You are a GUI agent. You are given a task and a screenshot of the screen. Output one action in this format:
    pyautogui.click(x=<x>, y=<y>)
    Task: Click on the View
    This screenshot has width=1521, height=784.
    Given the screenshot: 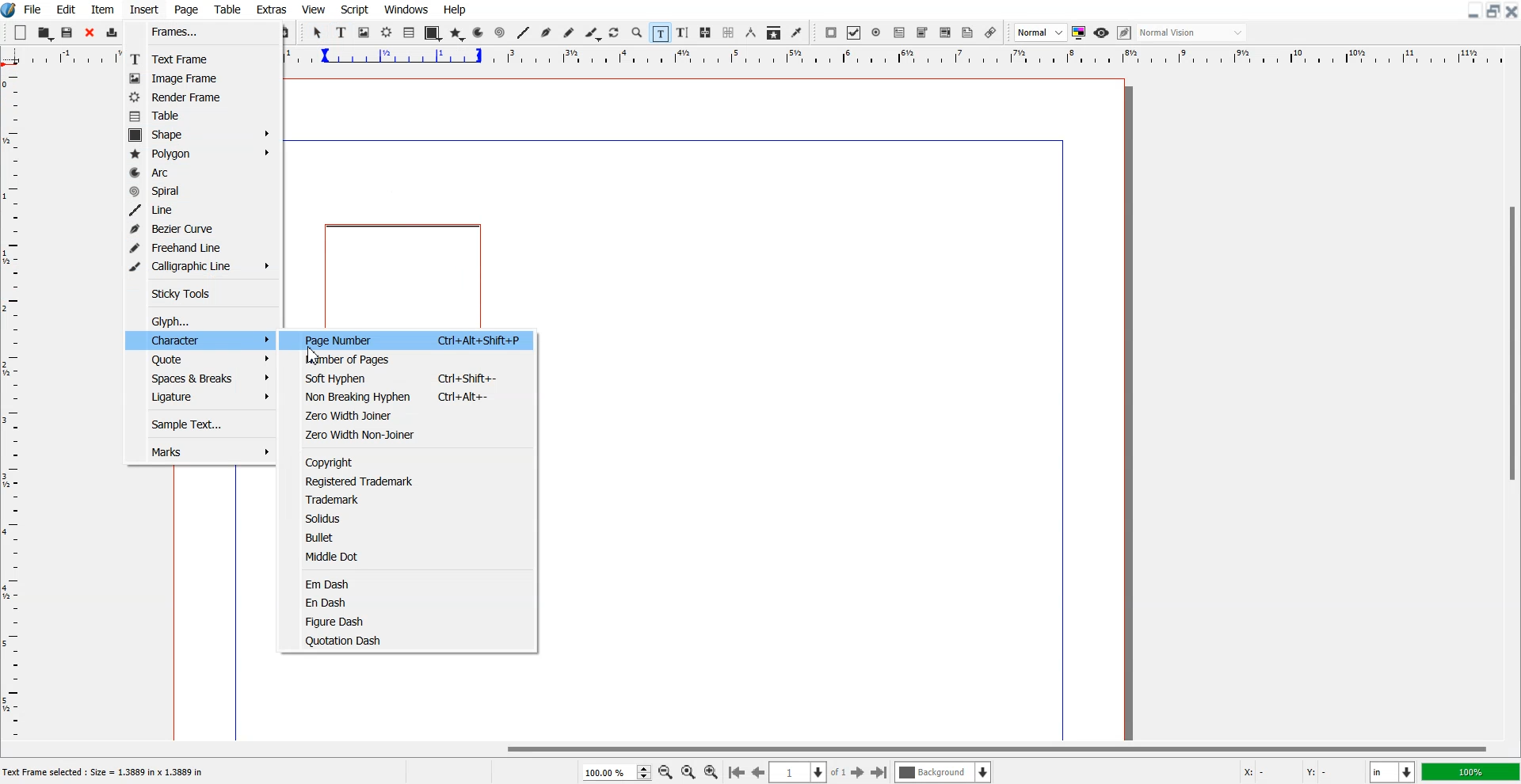 What is the action you would take?
    pyautogui.click(x=314, y=9)
    